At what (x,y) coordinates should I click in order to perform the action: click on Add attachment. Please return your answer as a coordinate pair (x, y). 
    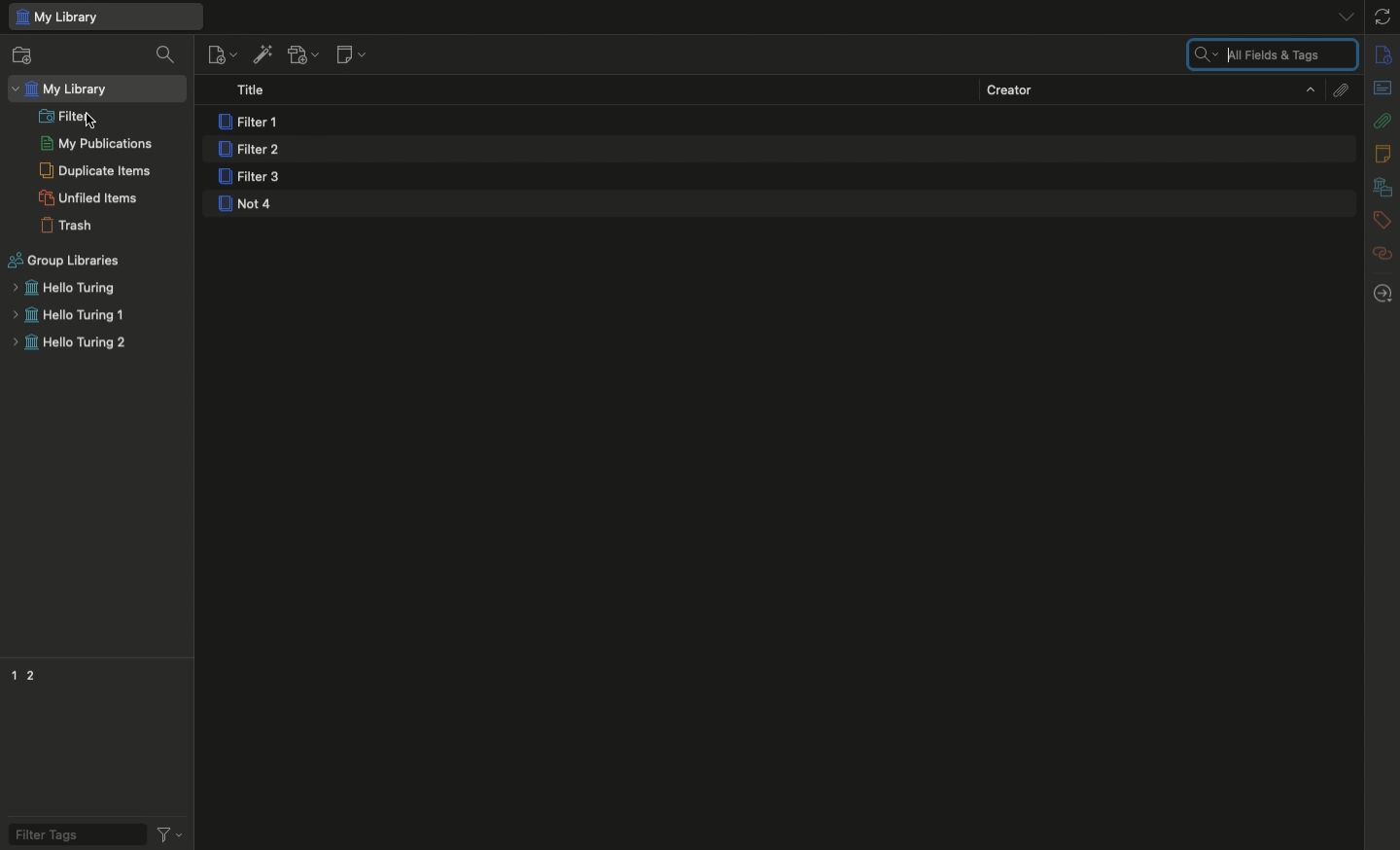
    Looking at the image, I should click on (301, 56).